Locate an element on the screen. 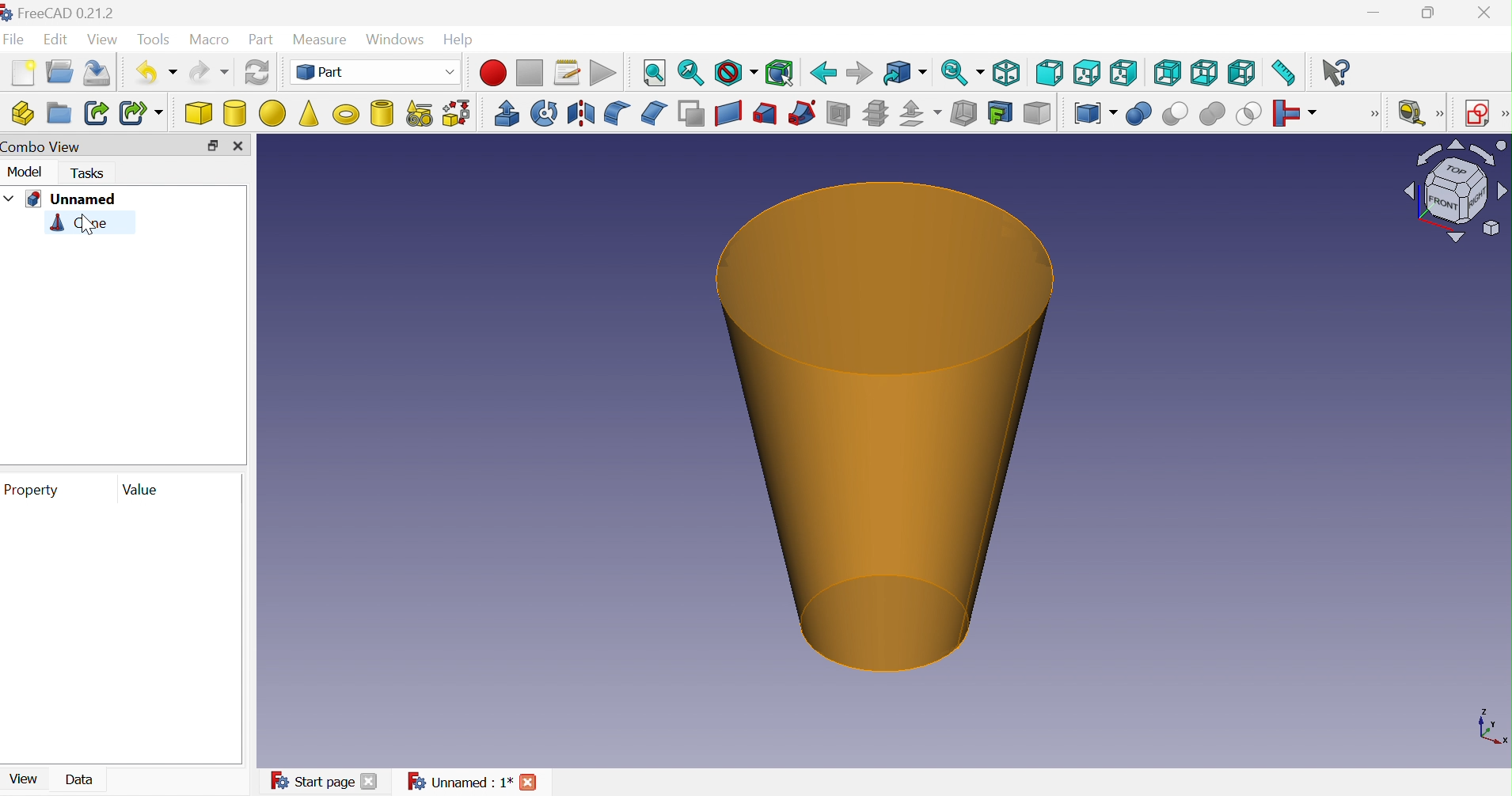  Color per face is located at coordinates (1038, 114).